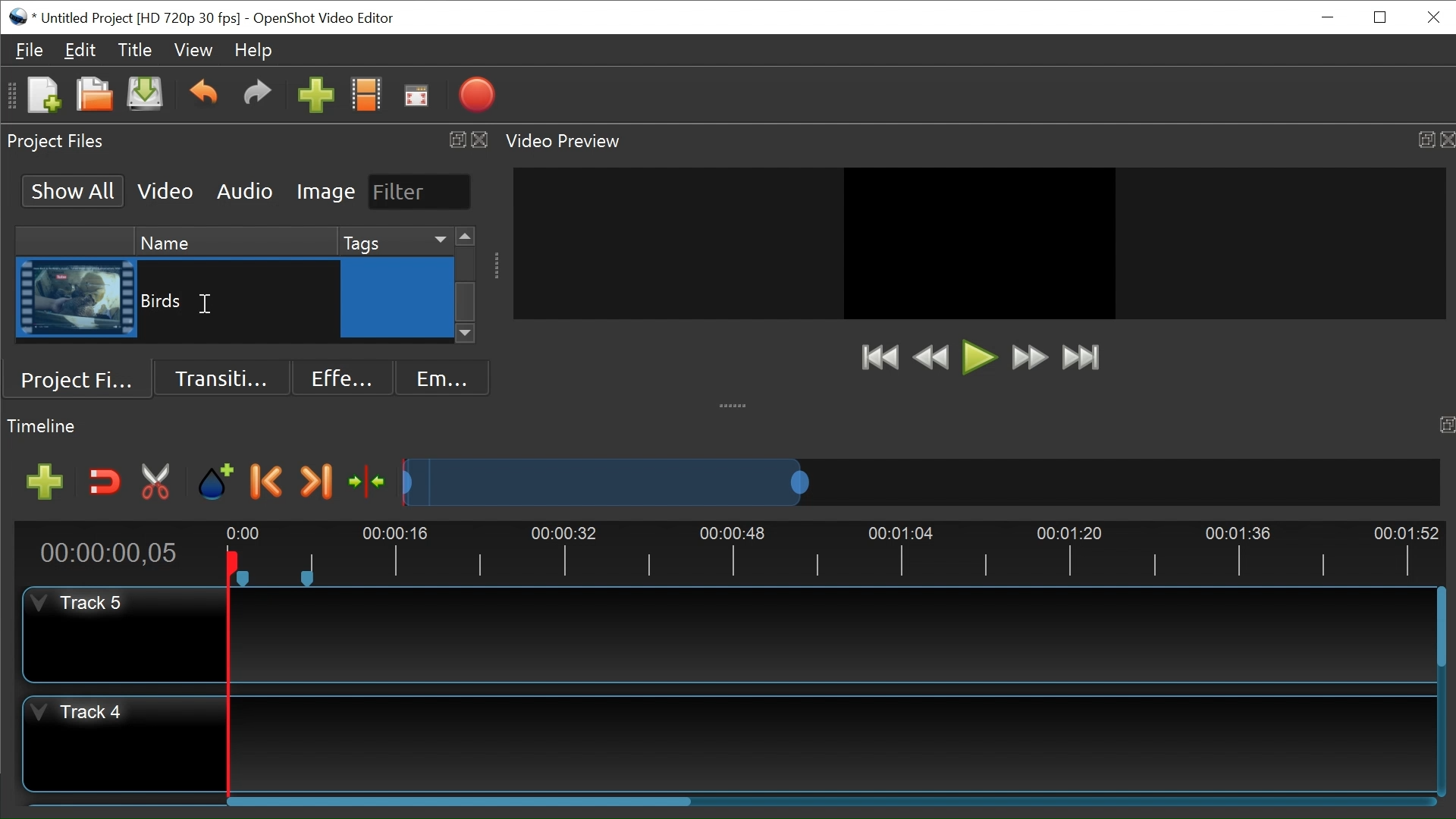 The height and width of the screenshot is (819, 1456). I want to click on Restore, so click(1380, 16).